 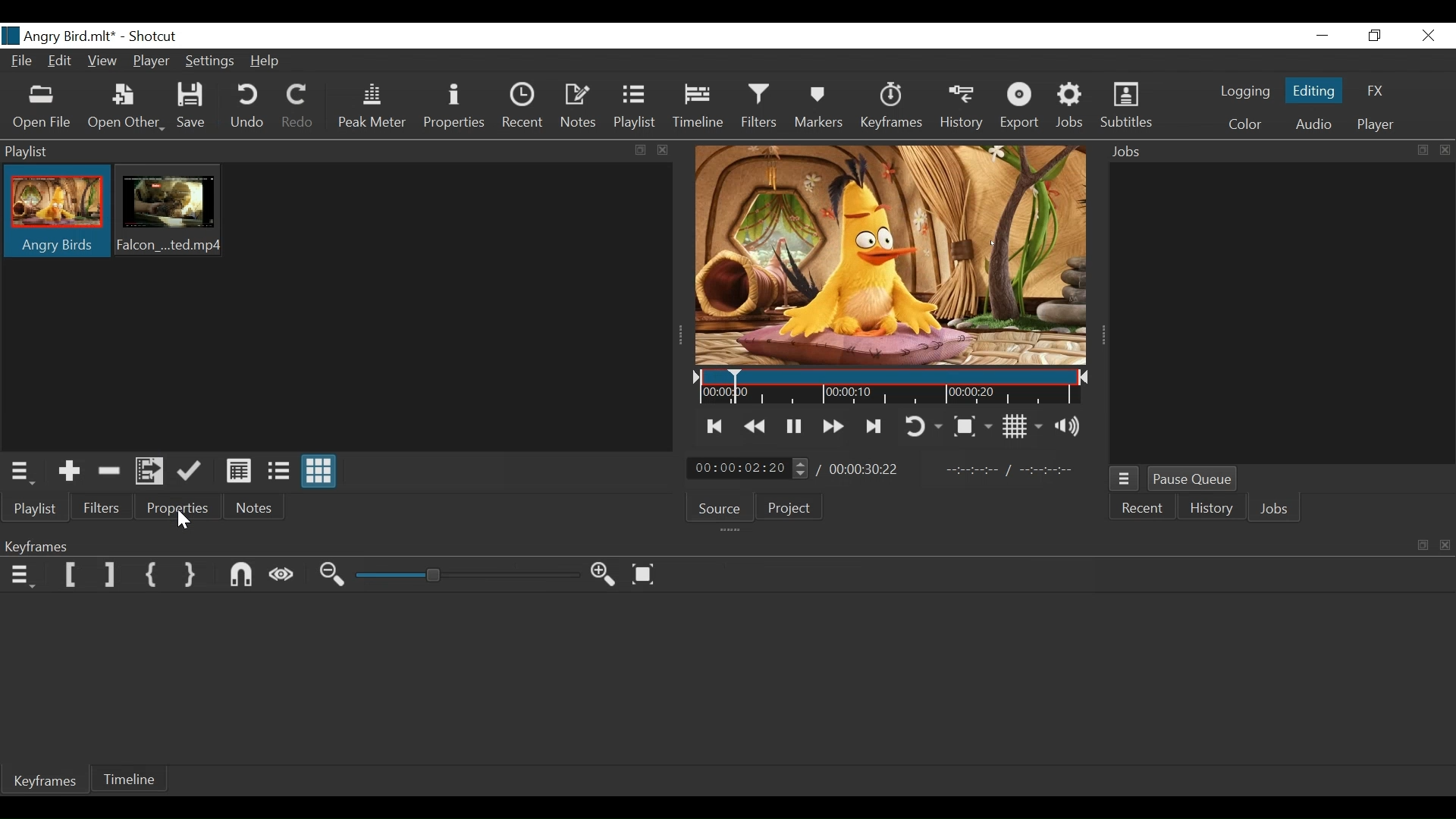 I want to click on History, so click(x=961, y=108).